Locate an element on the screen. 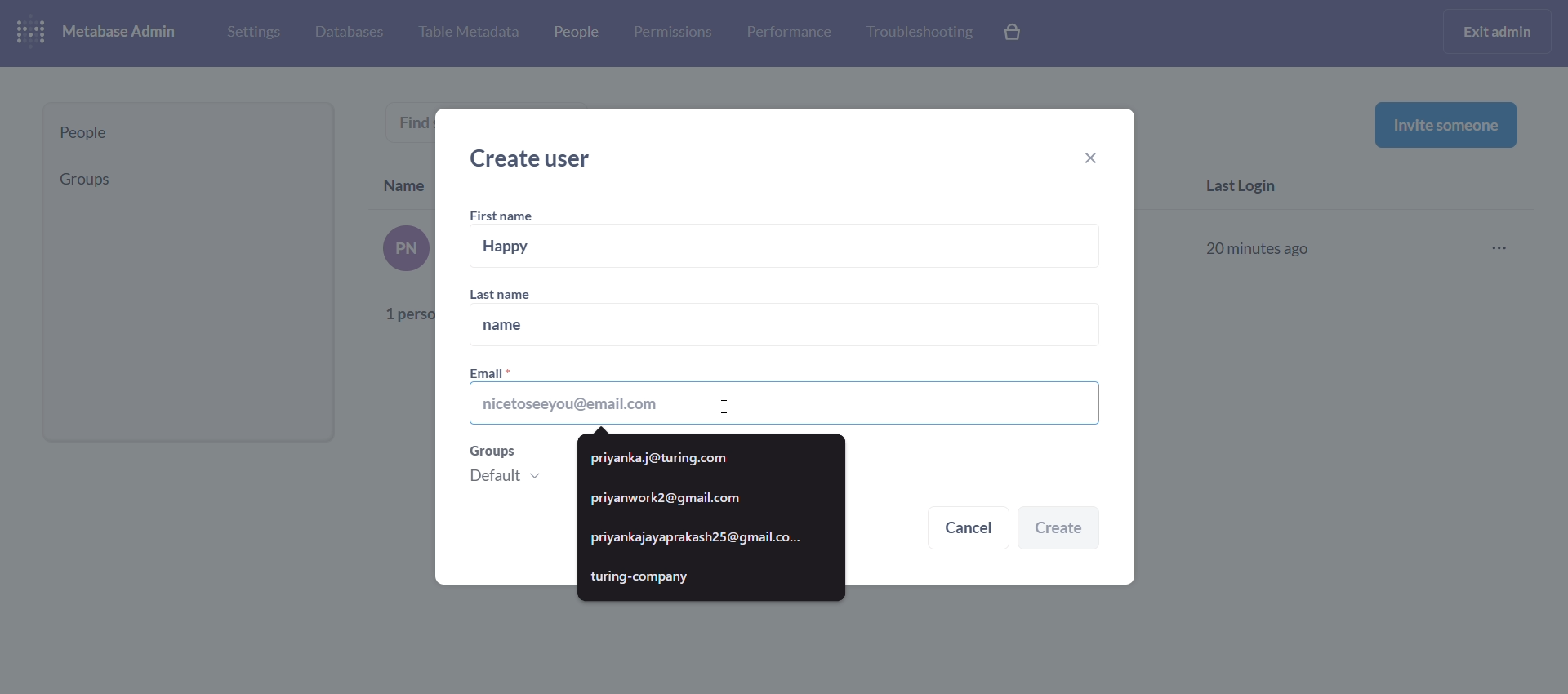 This screenshot has height=694, width=1568. first name is located at coordinates (505, 216).